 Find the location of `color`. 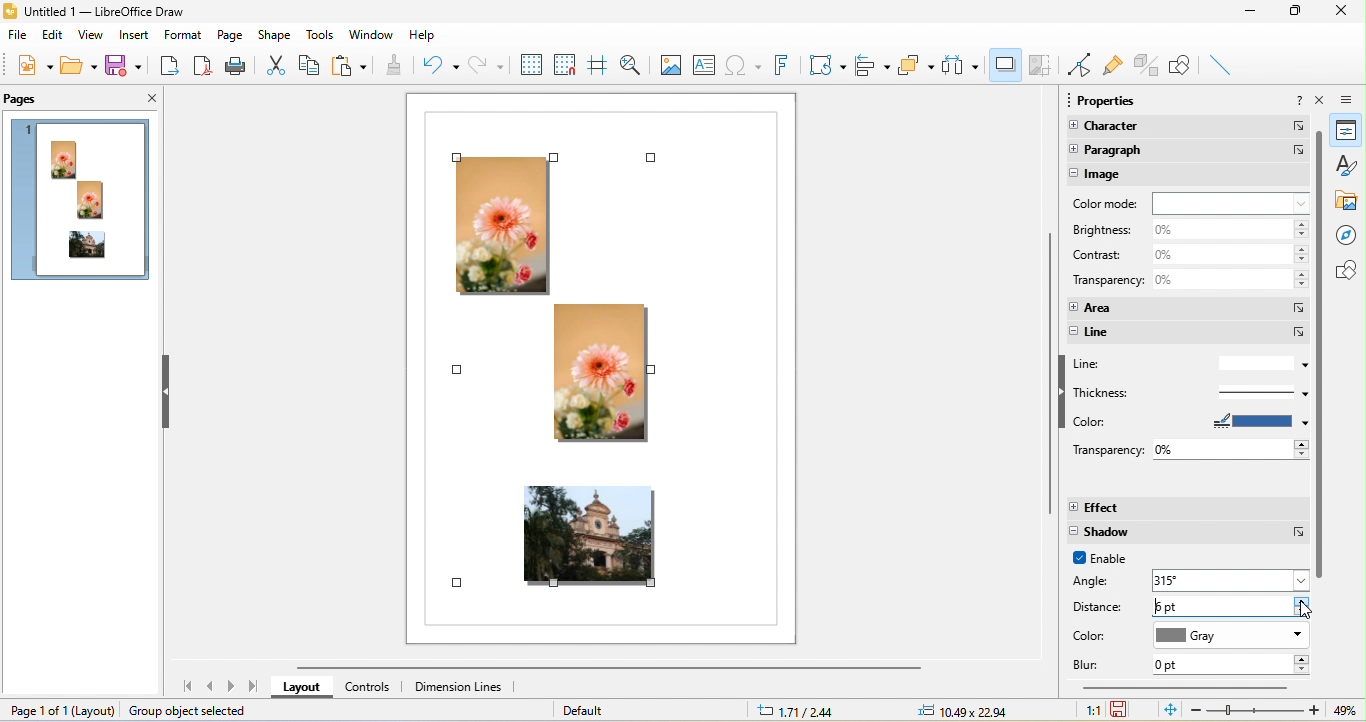

color is located at coordinates (1190, 422).